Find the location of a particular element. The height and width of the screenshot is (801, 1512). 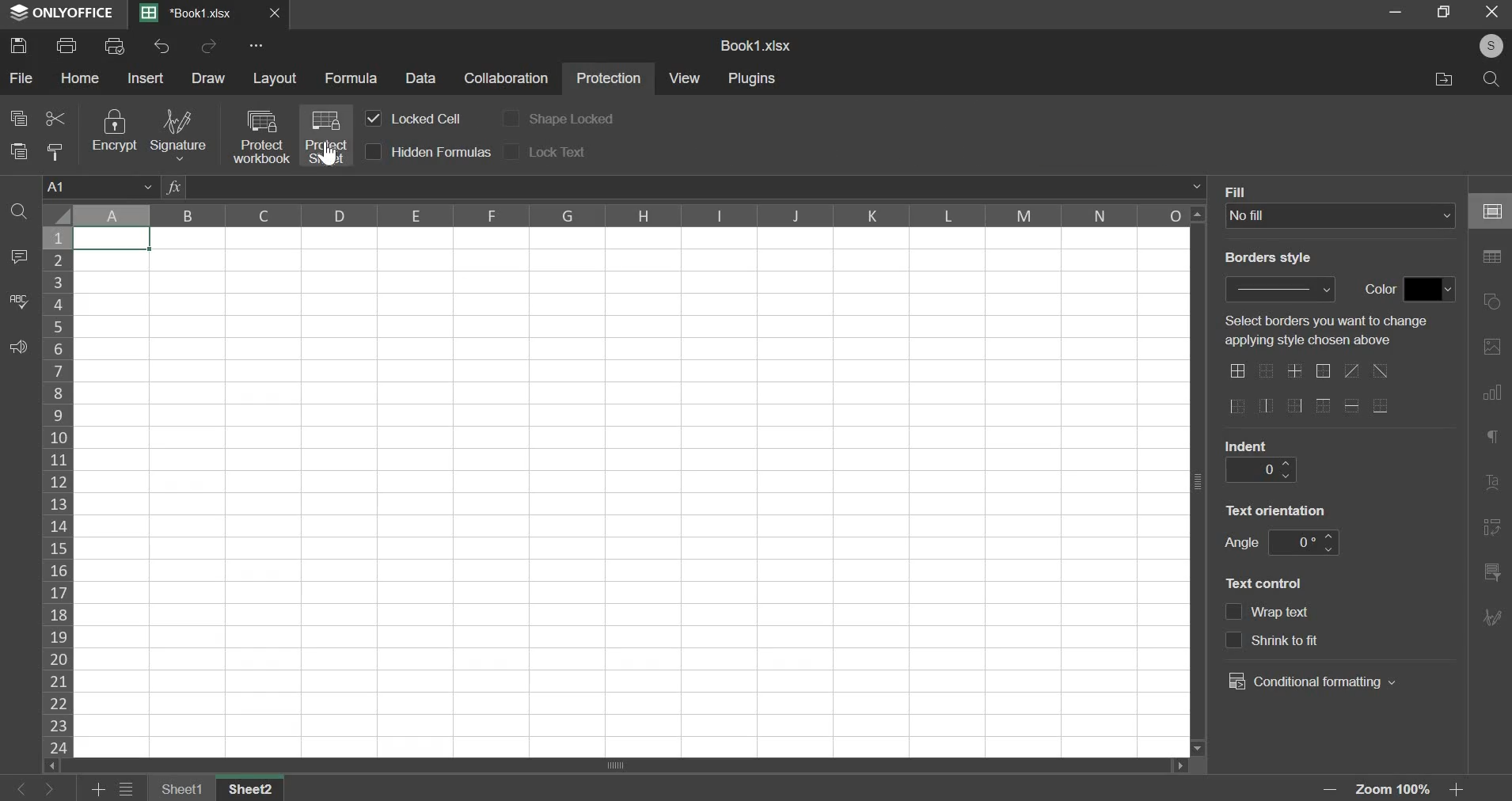

Minimise is located at coordinates (1445, 11).